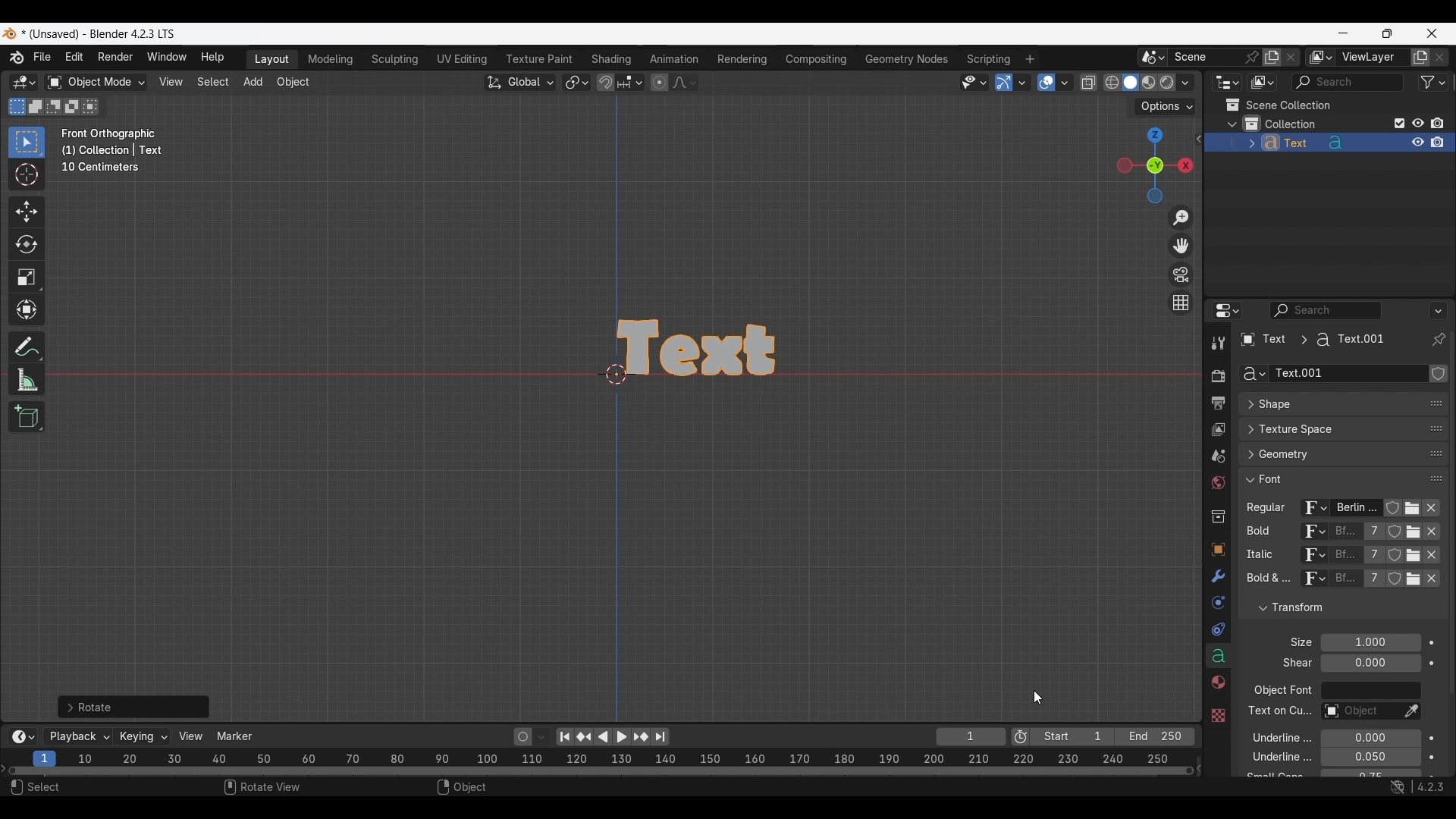  I want to click on Underline position, so click(1372, 739).